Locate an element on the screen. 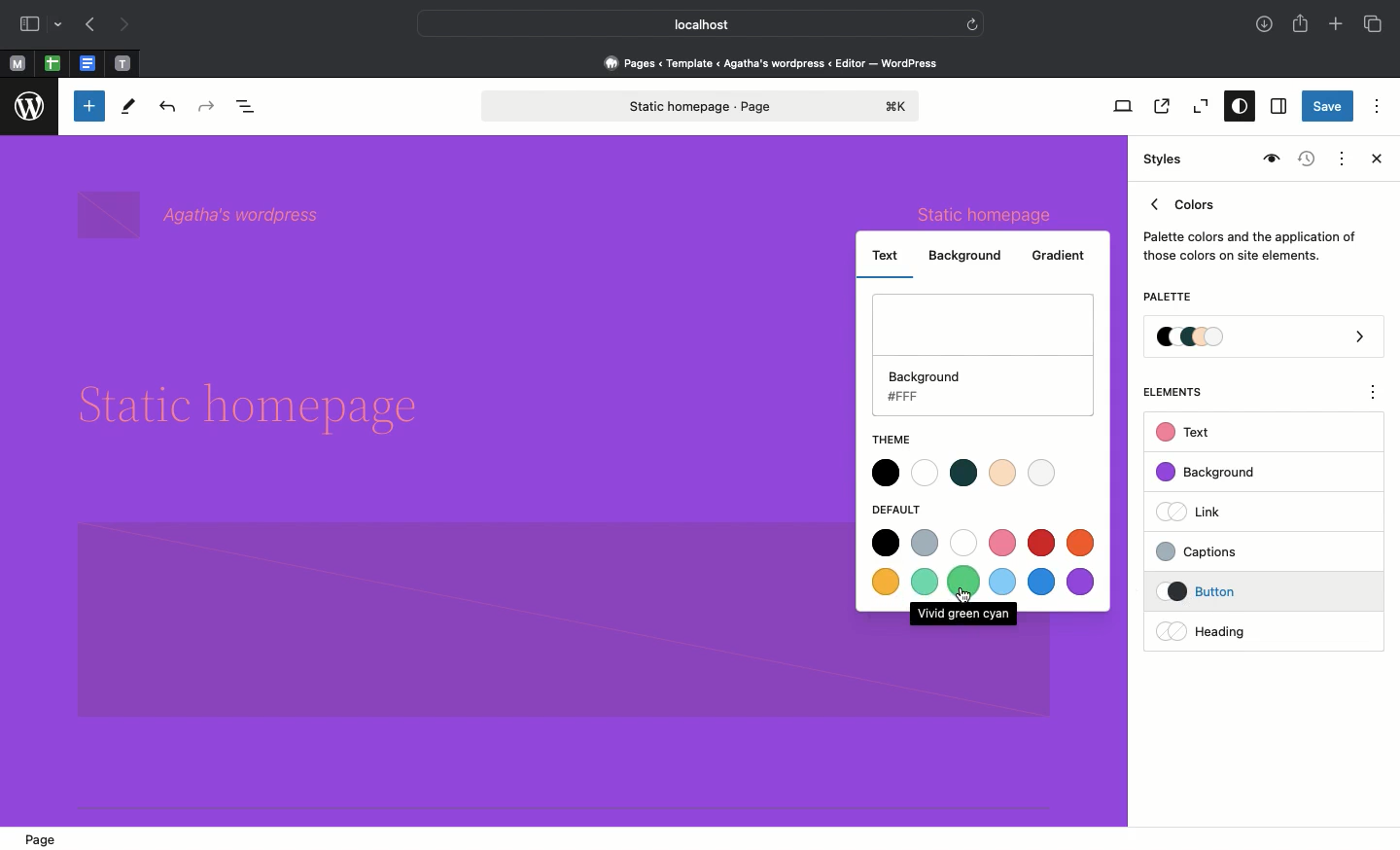 The width and height of the screenshot is (1400, 850). Pinned tab is located at coordinates (123, 64).